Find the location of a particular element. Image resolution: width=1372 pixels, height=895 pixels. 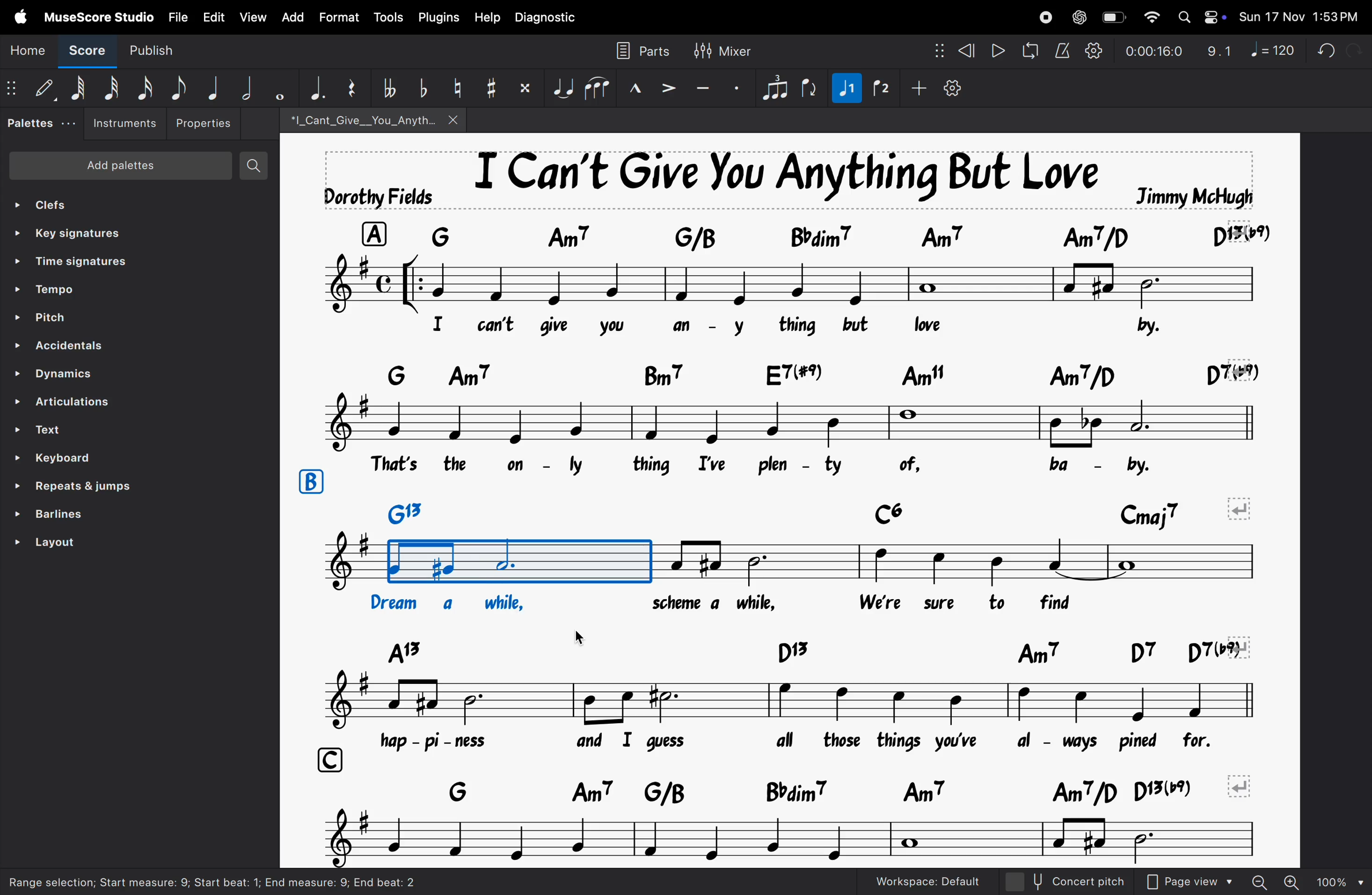

mixer is located at coordinates (729, 50).